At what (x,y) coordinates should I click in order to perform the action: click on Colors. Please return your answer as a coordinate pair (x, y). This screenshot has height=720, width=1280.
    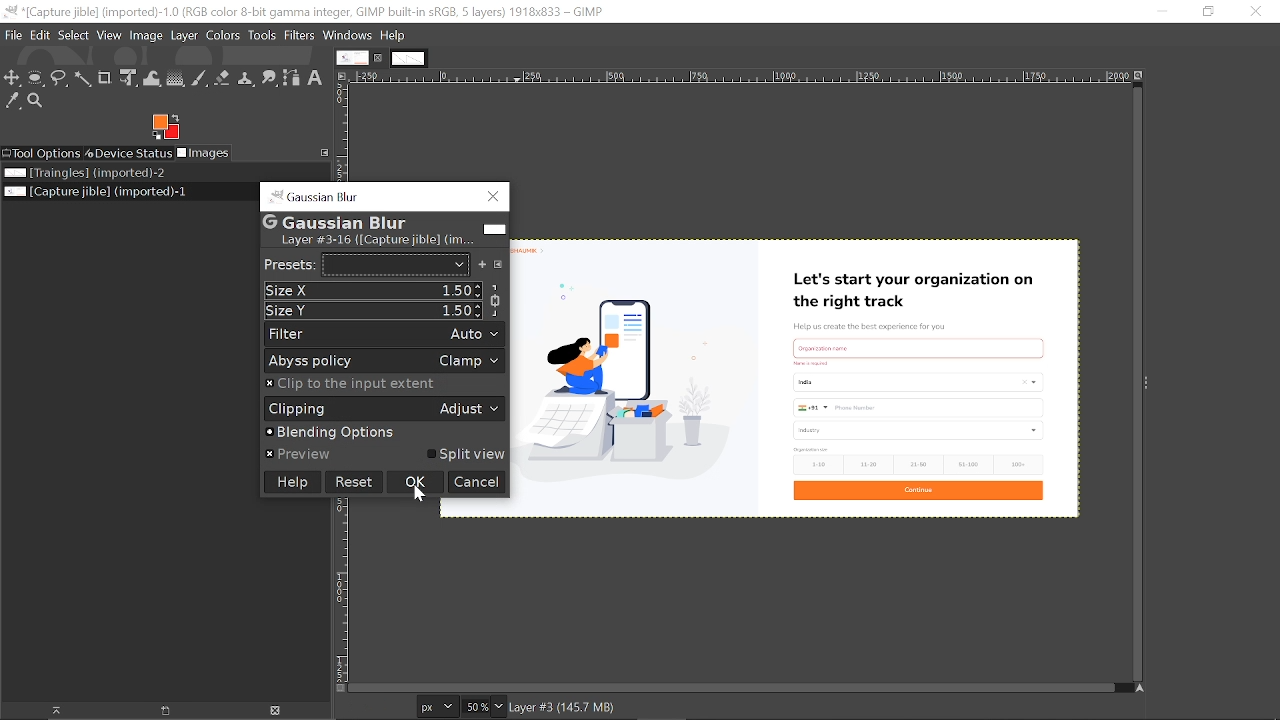
    Looking at the image, I should click on (225, 37).